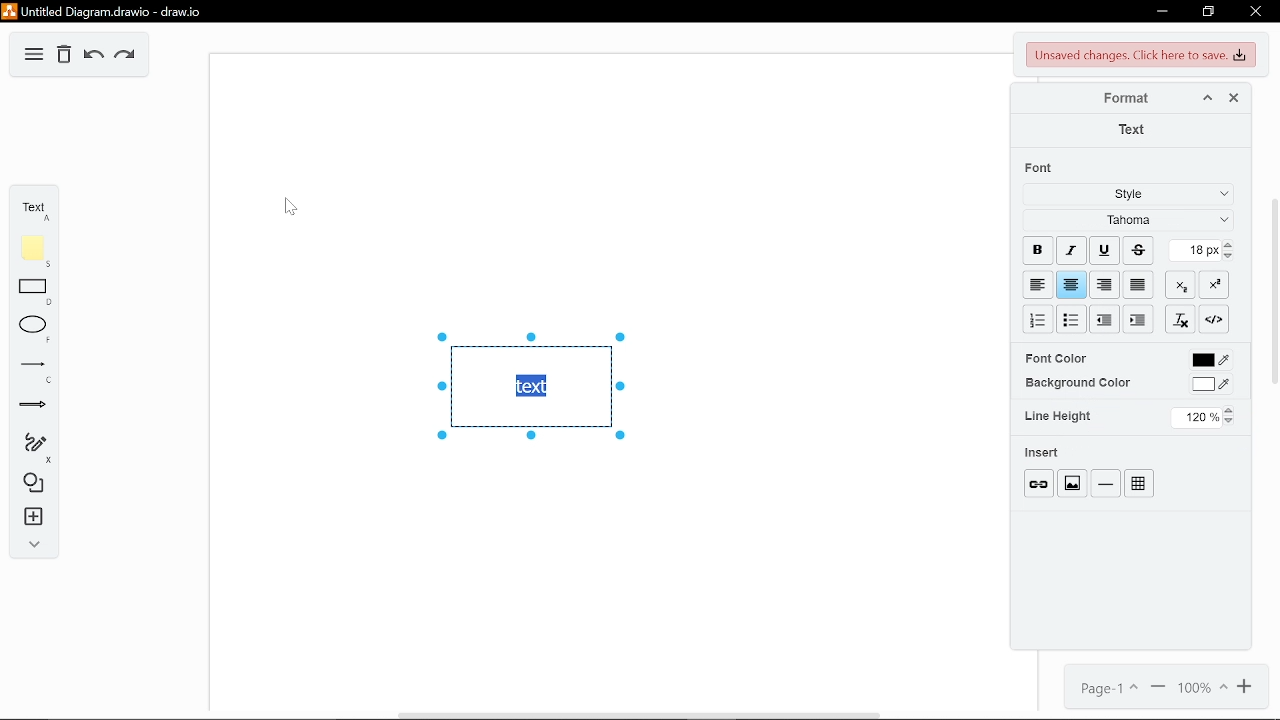 The width and height of the screenshot is (1280, 720). Describe the element at coordinates (1247, 689) in the screenshot. I see `zoom in` at that location.